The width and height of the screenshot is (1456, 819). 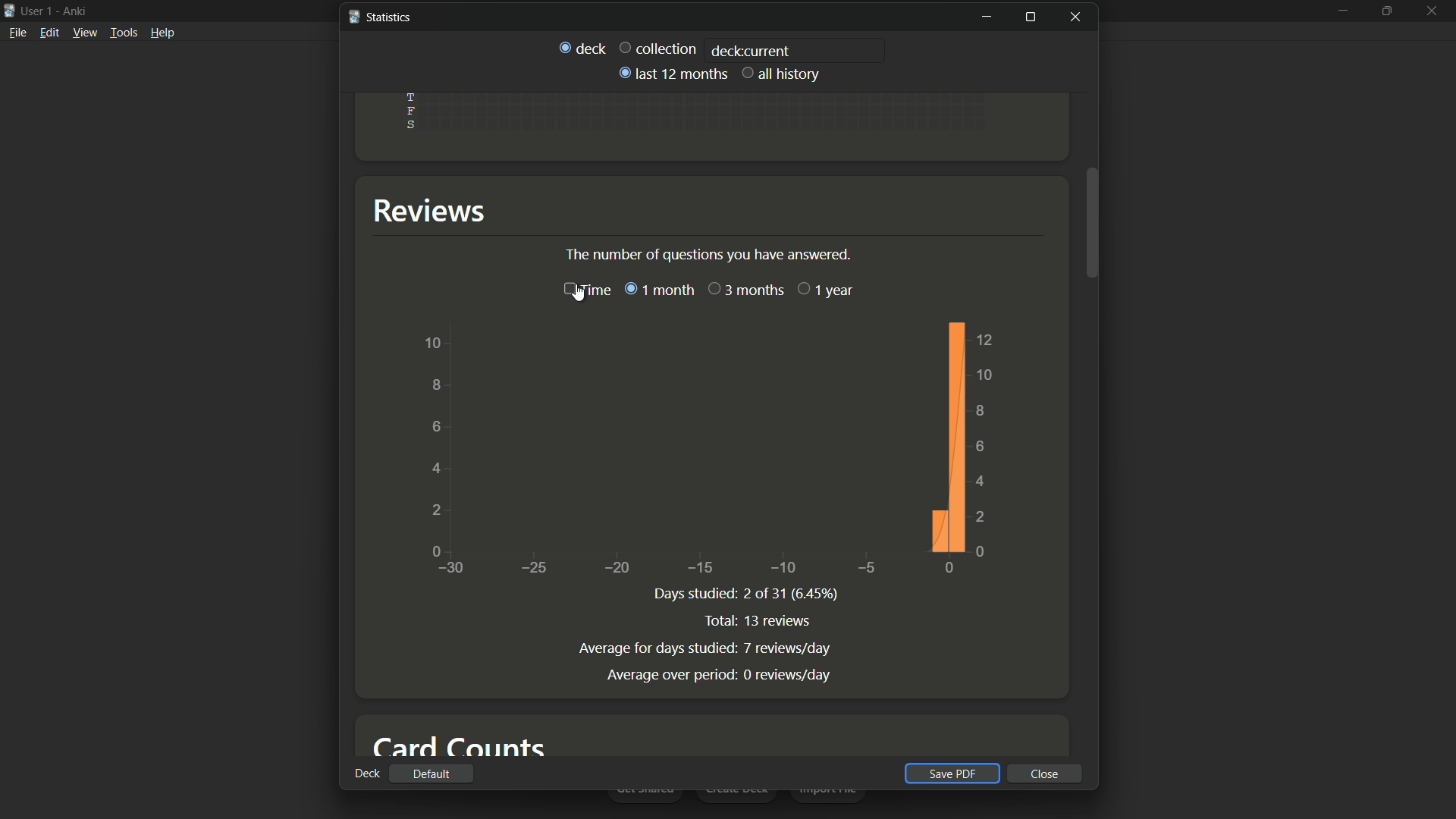 What do you see at coordinates (703, 49) in the screenshot?
I see `collection deck : current` at bounding box center [703, 49].